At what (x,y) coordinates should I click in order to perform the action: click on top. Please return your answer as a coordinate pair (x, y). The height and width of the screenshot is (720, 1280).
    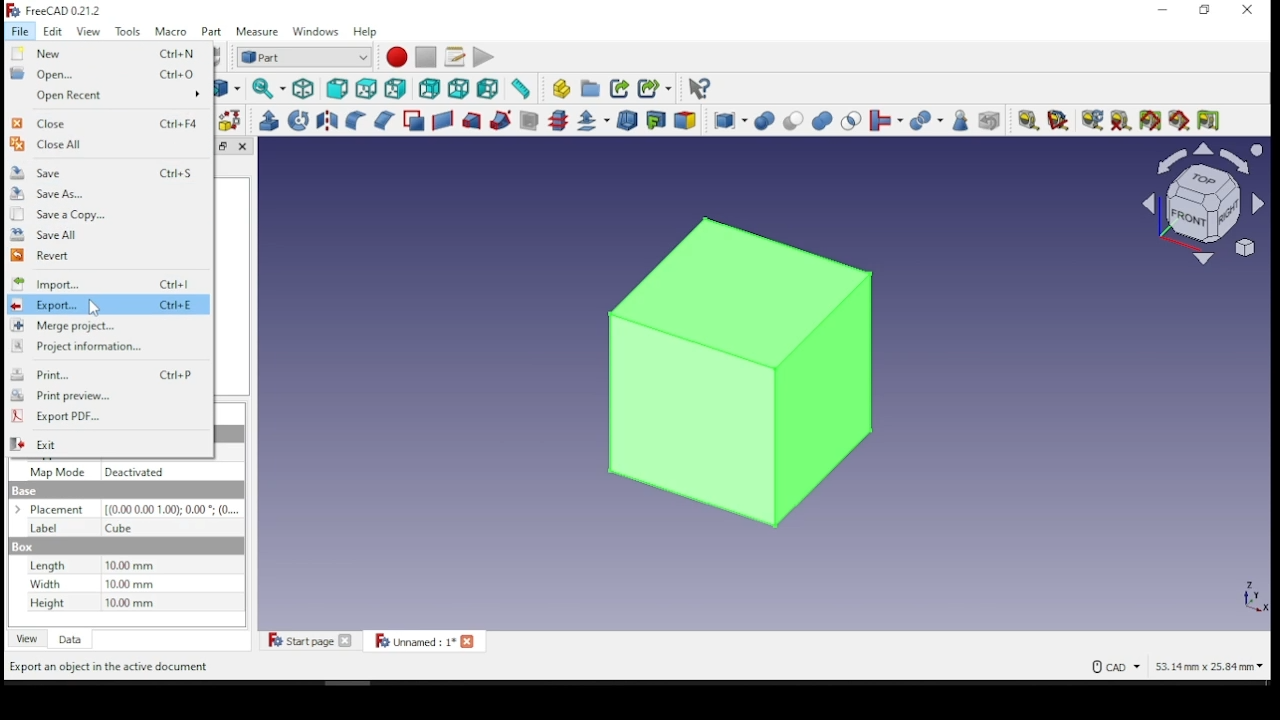
    Looking at the image, I should click on (369, 89).